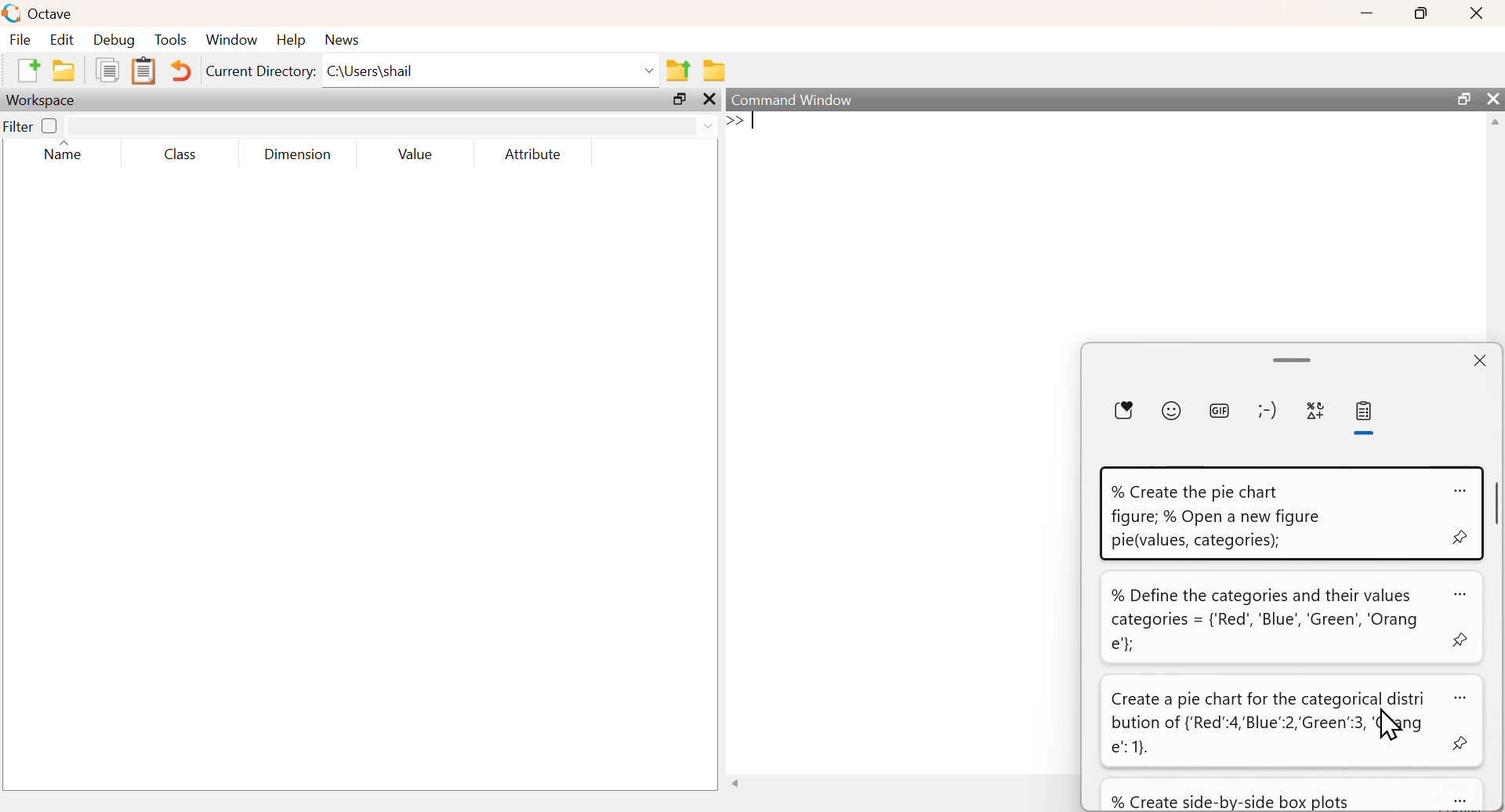  What do you see at coordinates (181, 154) in the screenshot?
I see `Class` at bounding box center [181, 154].